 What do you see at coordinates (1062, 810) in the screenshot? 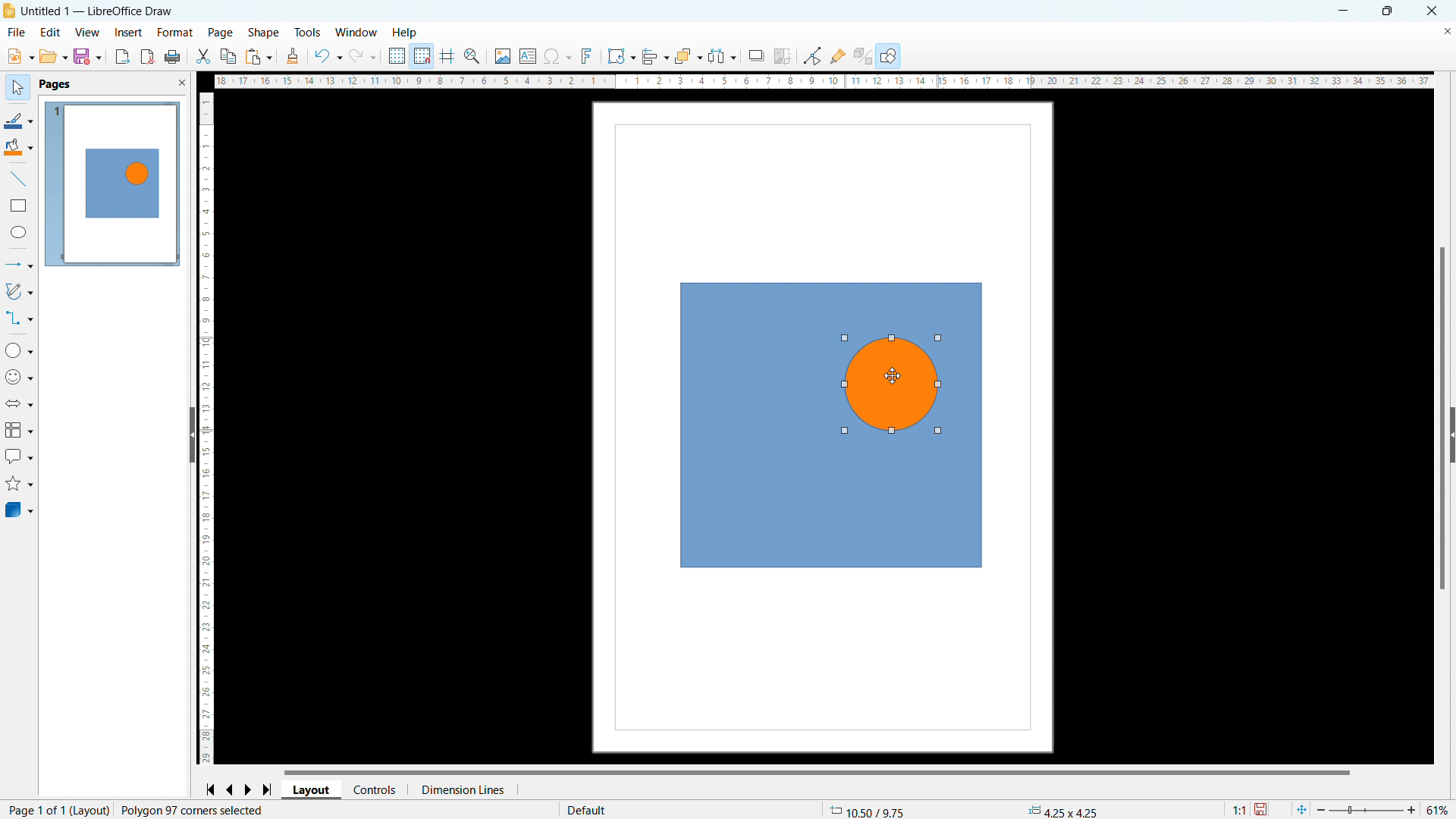
I see `4.25x4.25` at bounding box center [1062, 810].